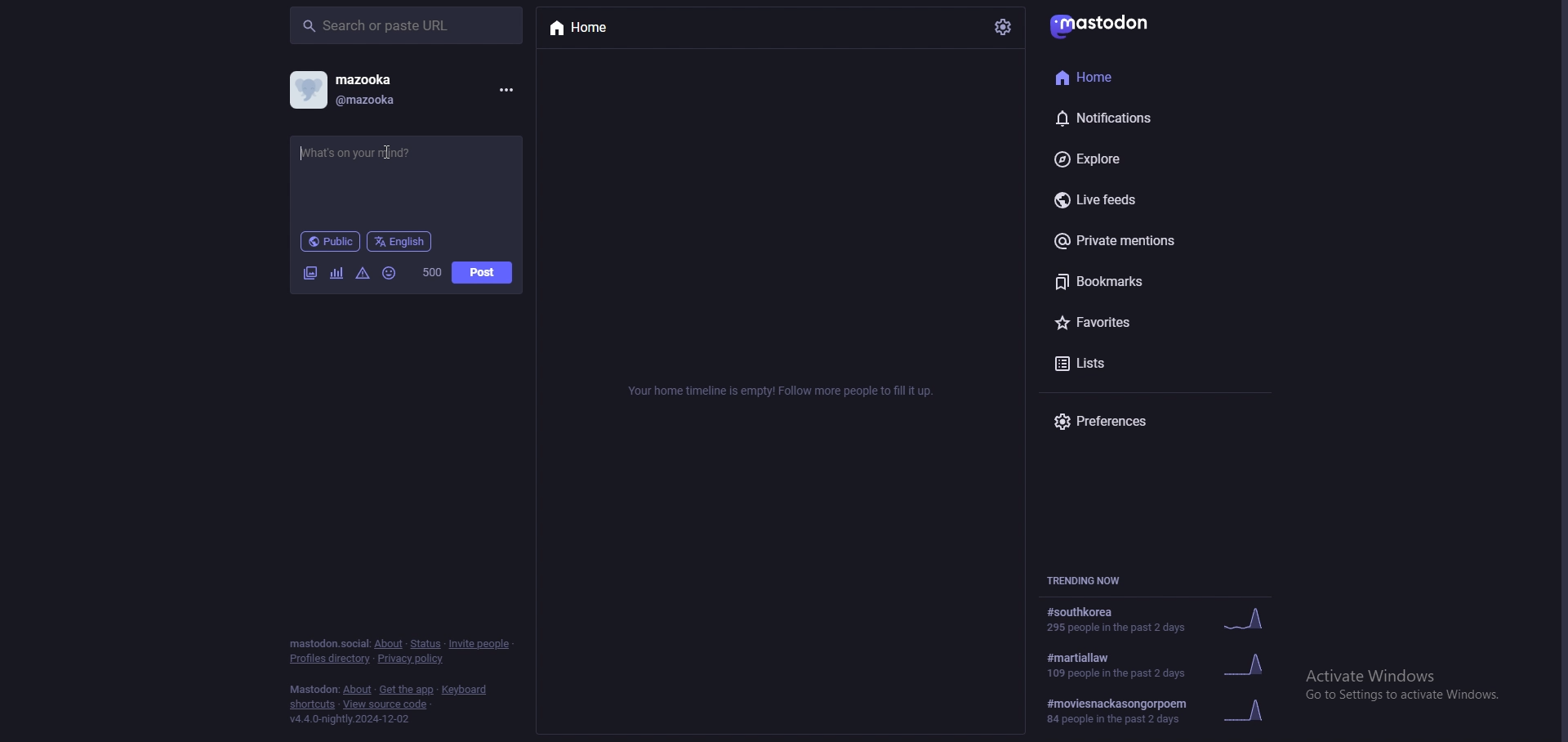 Image resolution: width=1568 pixels, height=742 pixels. Describe the element at coordinates (414, 659) in the screenshot. I see `privacy policy` at that location.